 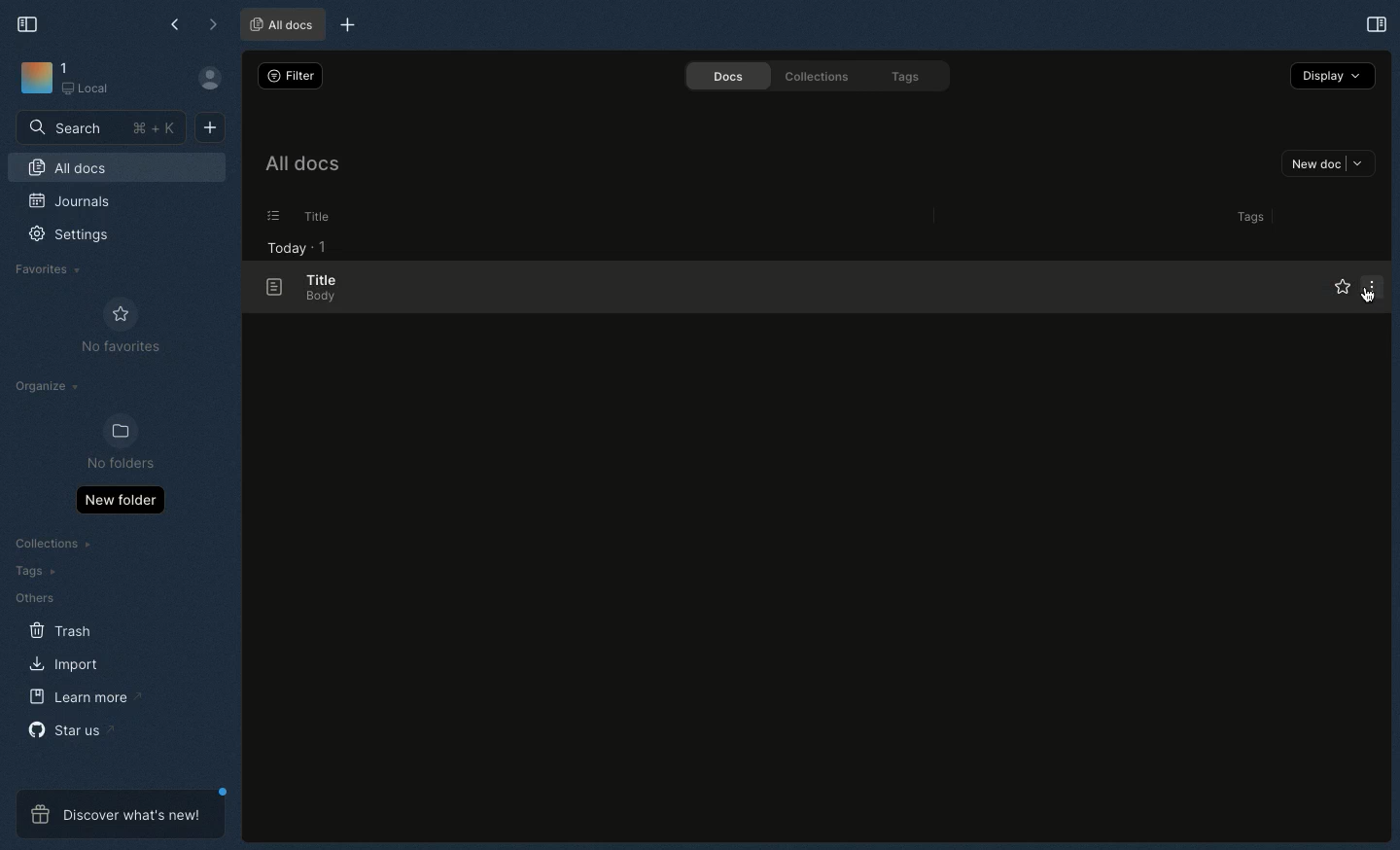 I want to click on Discover what's new, so click(x=121, y=814).